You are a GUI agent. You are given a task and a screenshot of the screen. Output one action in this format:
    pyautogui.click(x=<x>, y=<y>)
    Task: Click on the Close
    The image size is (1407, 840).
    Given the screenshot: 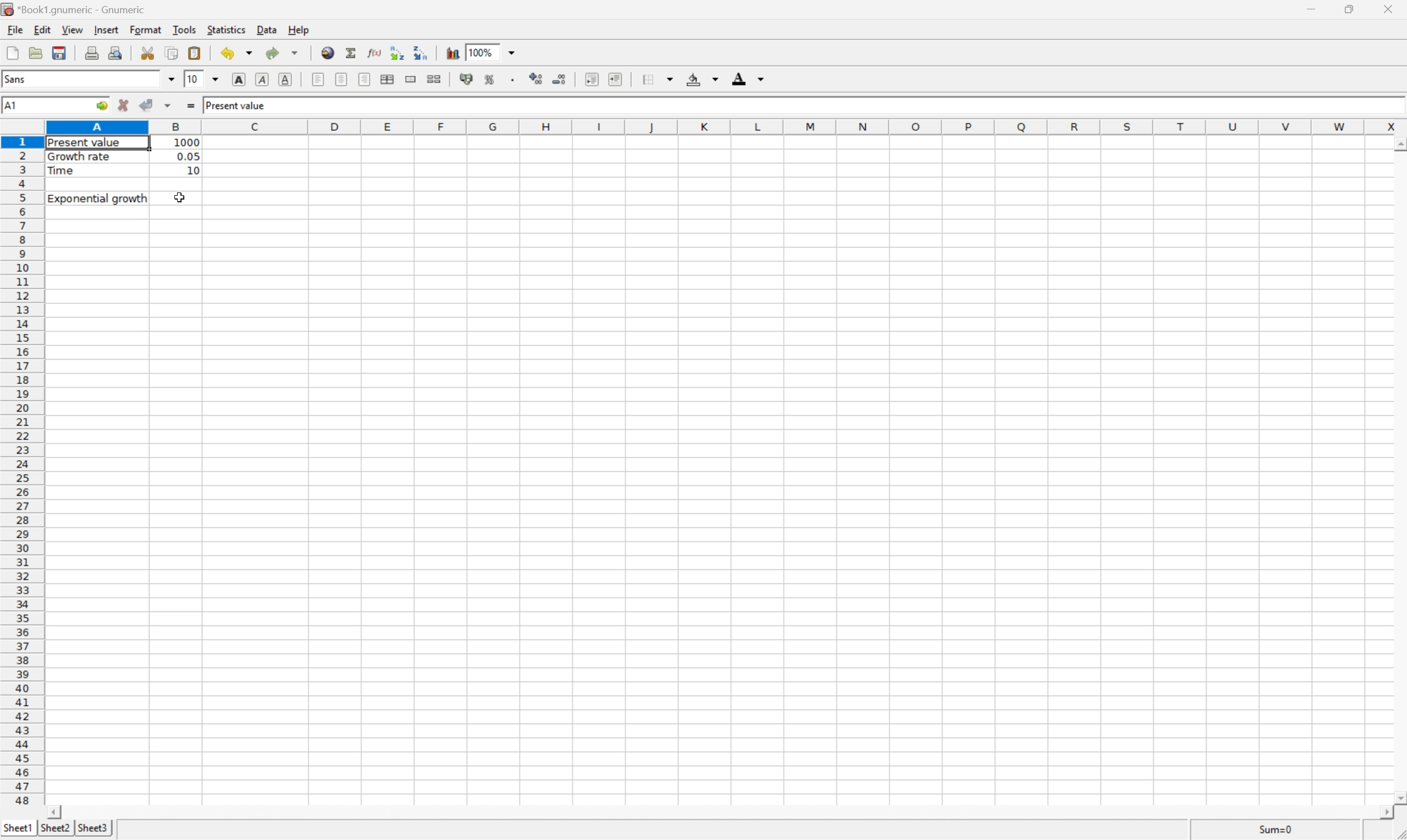 What is the action you would take?
    pyautogui.click(x=1386, y=10)
    